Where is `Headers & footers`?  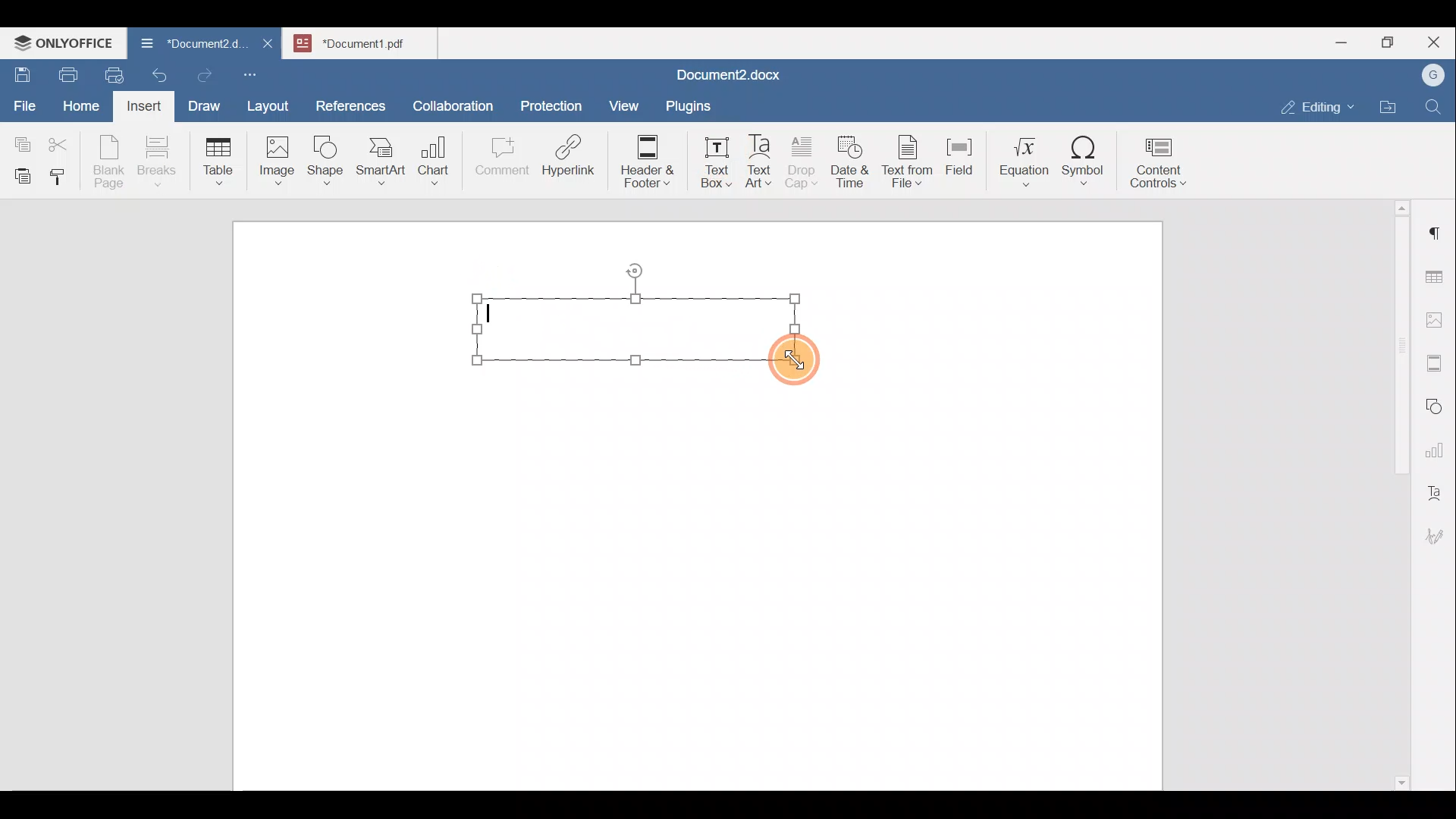 Headers & footers is located at coordinates (1437, 359).